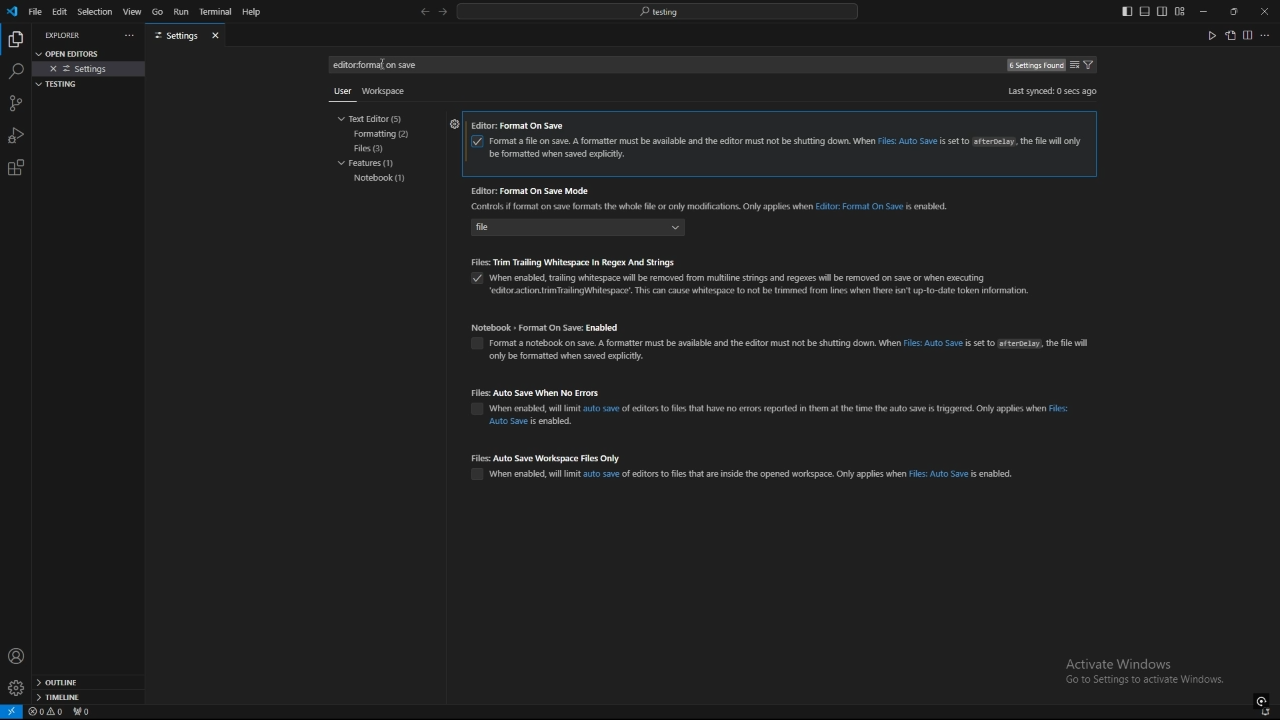 This screenshot has width=1280, height=720. What do you see at coordinates (85, 713) in the screenshot?
I see `ports forwarded` at bounding box center [85, 713].